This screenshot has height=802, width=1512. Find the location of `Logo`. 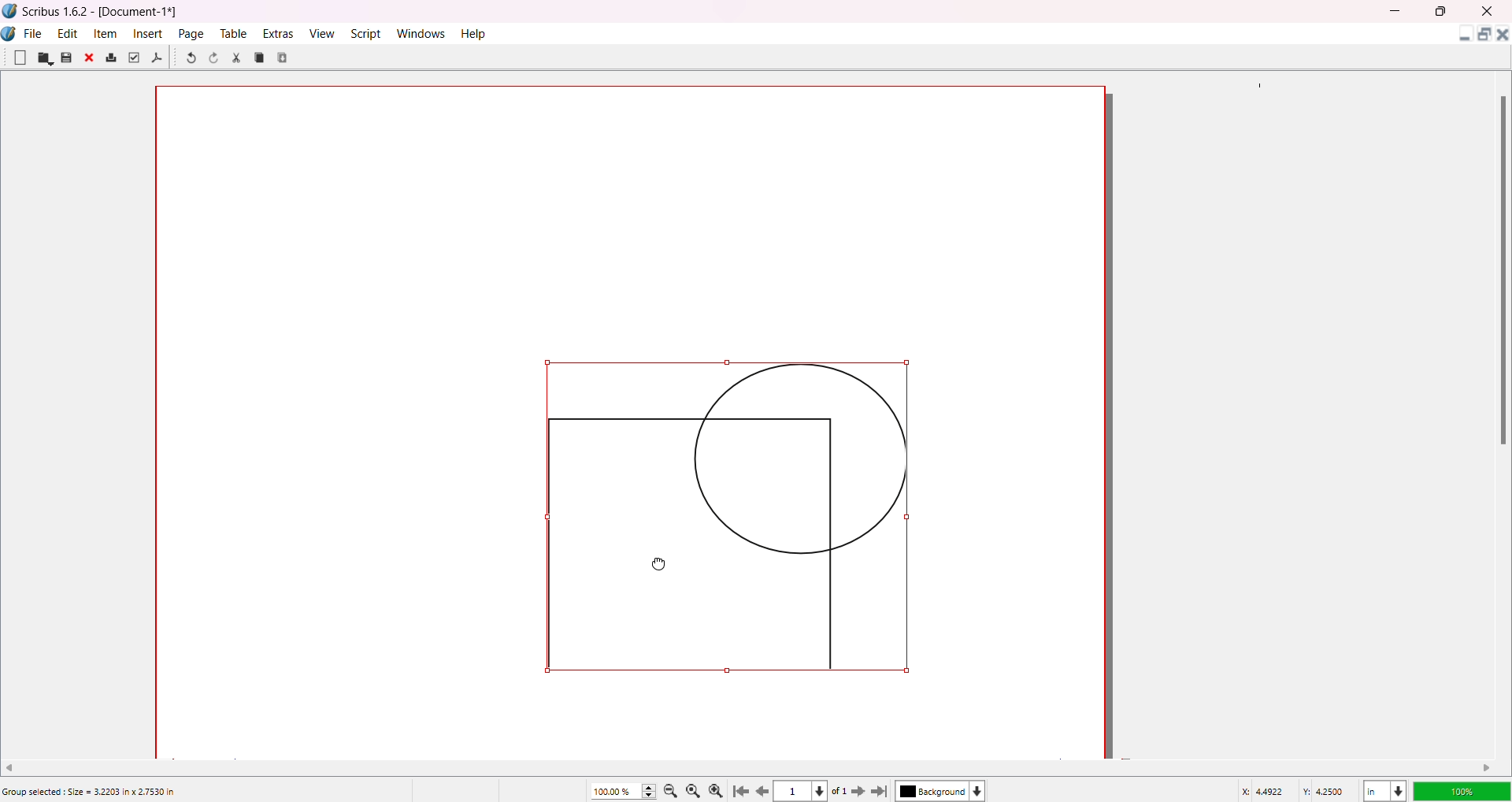

Logo is located at coordinates (10, 11).